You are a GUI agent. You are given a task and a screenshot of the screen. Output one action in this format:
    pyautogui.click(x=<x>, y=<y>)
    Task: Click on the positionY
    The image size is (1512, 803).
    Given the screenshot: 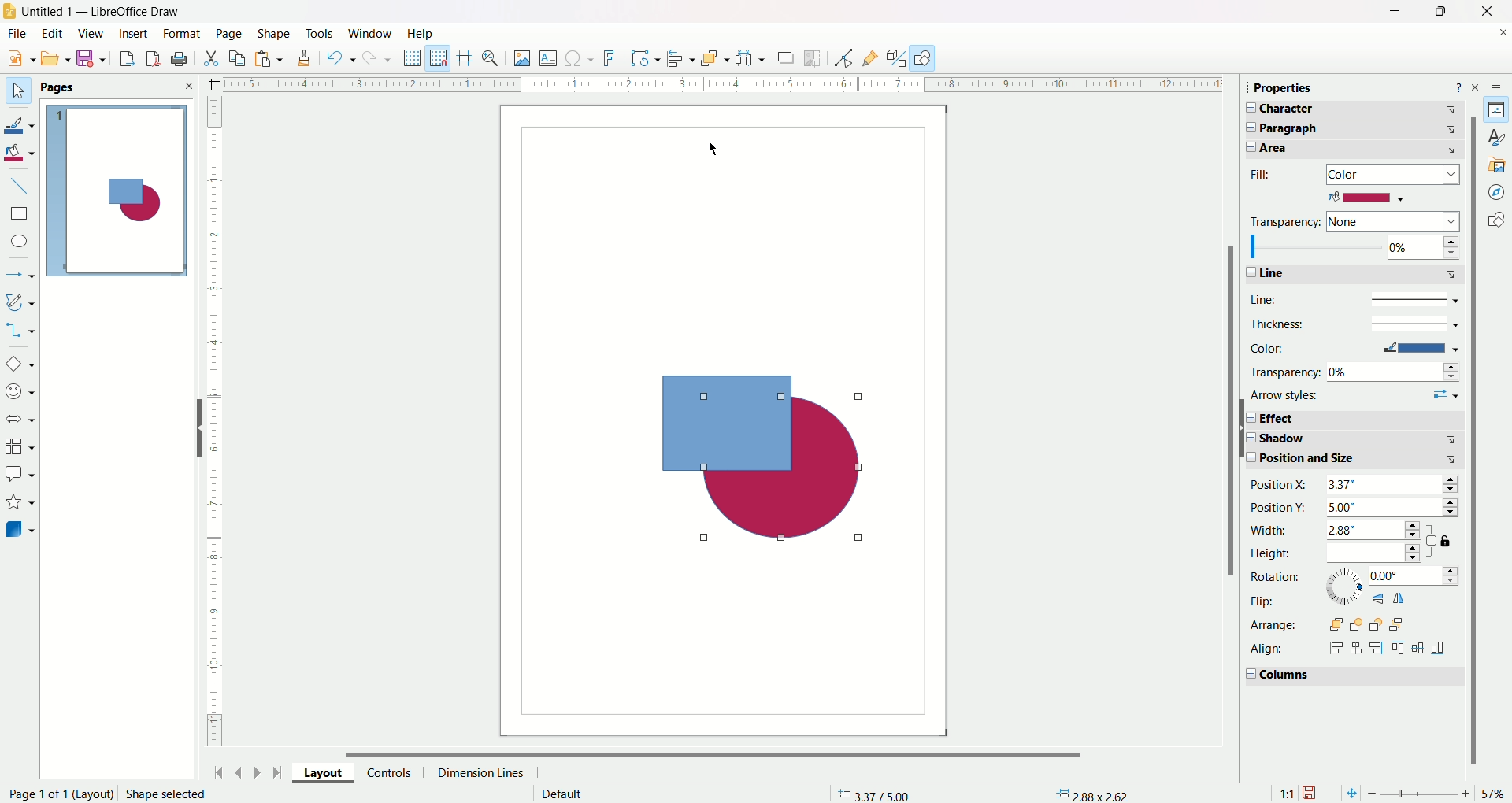 What is the action you would take?
    pyautogui.click(x=1357, y=509)
    